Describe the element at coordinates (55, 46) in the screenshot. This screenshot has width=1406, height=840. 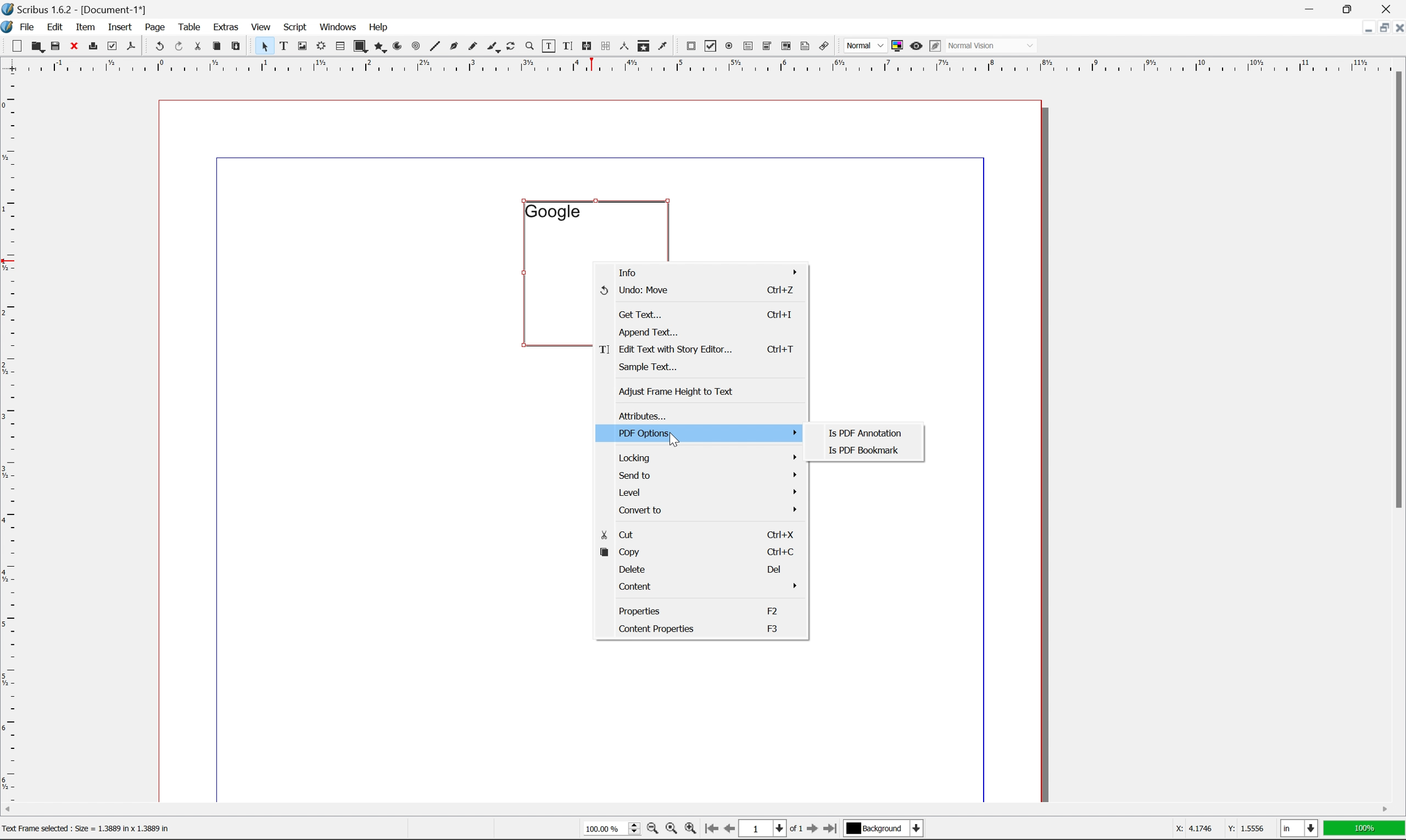
I see `save` at that location.